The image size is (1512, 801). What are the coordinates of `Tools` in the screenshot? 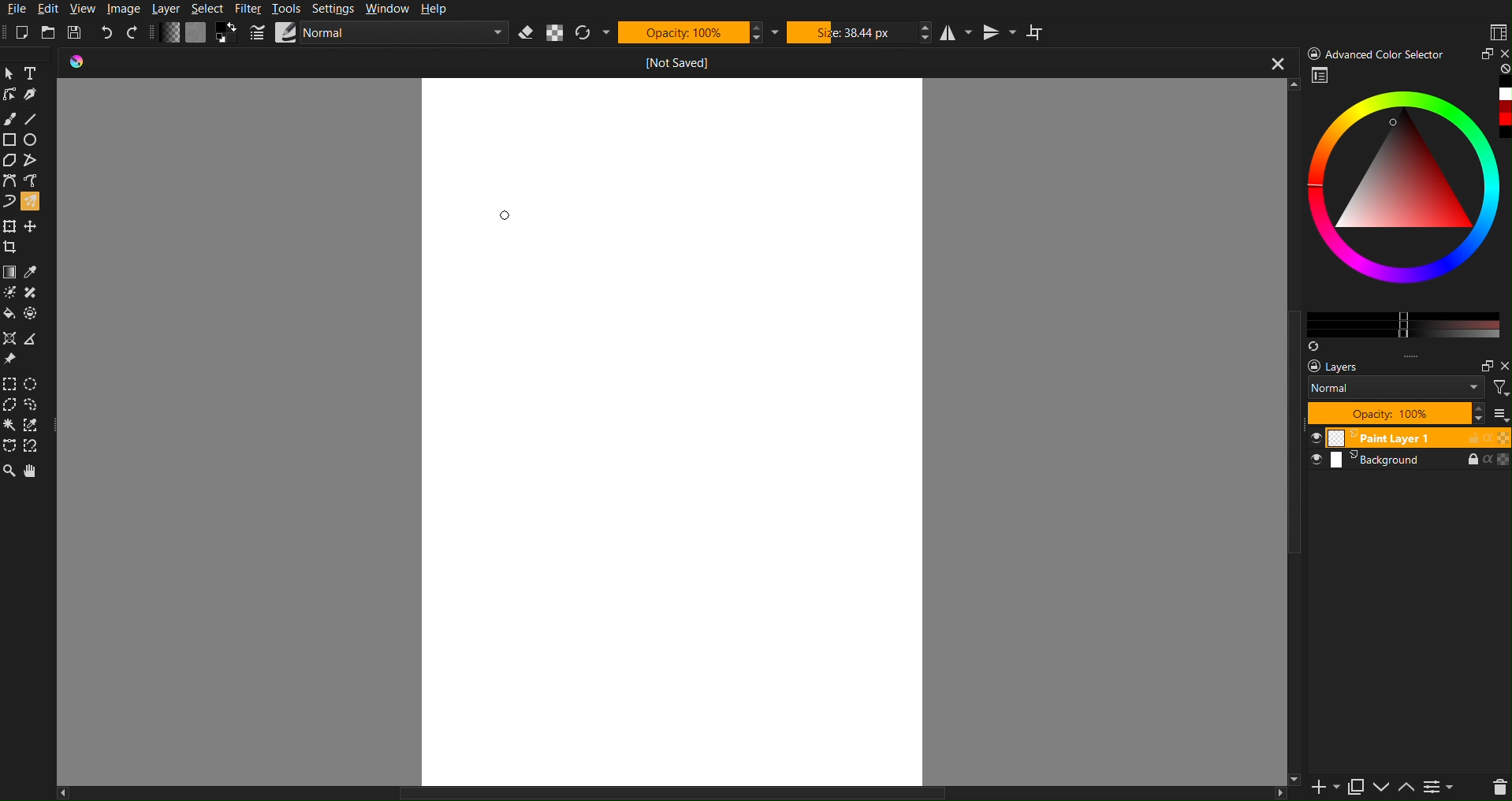 It's located at (290, 9).